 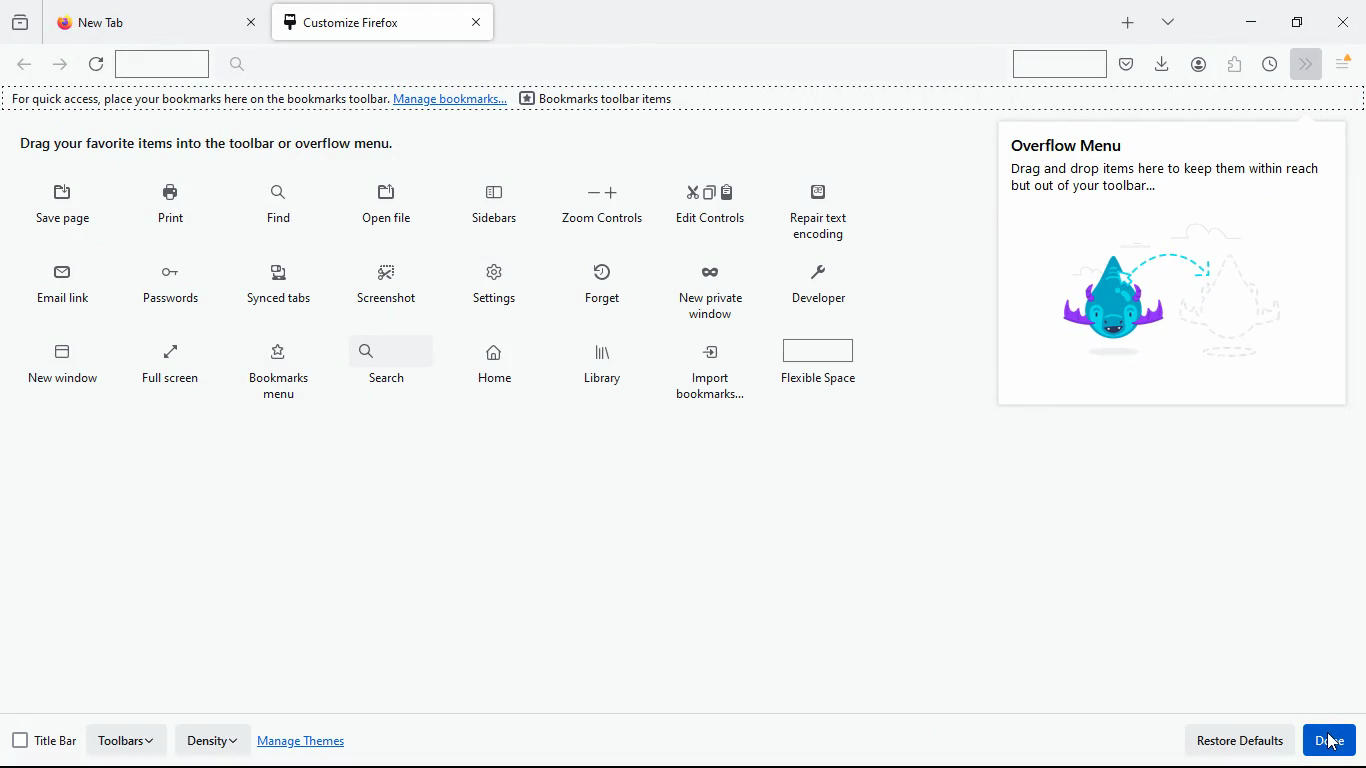 What do you see at coordinates (496, 370) in the screenshot?
I see `search` at bounding box center [496, 370].